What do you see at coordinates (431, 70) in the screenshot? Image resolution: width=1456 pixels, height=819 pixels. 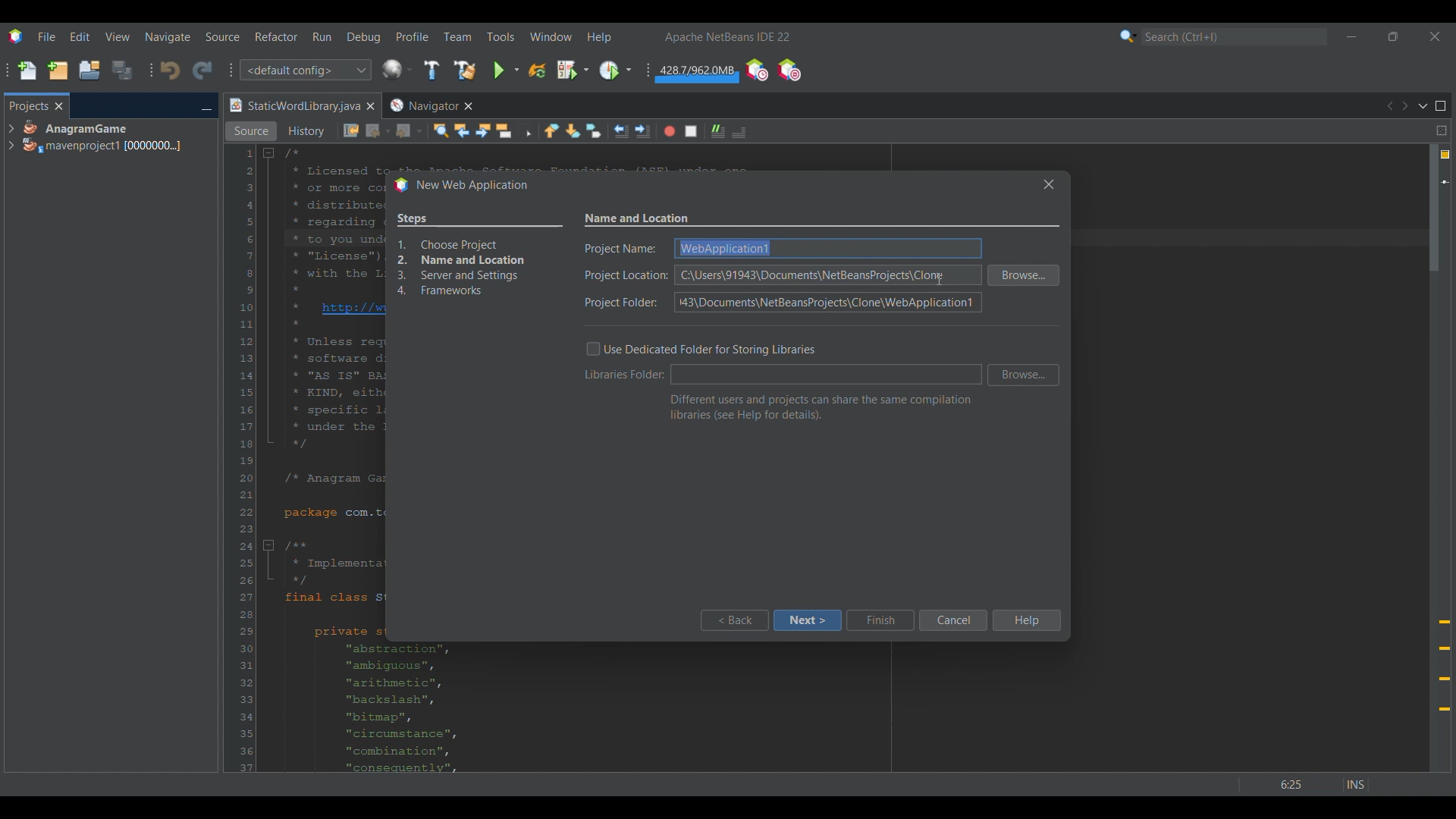 I see `Build main project` at bounding box center [431, 70].